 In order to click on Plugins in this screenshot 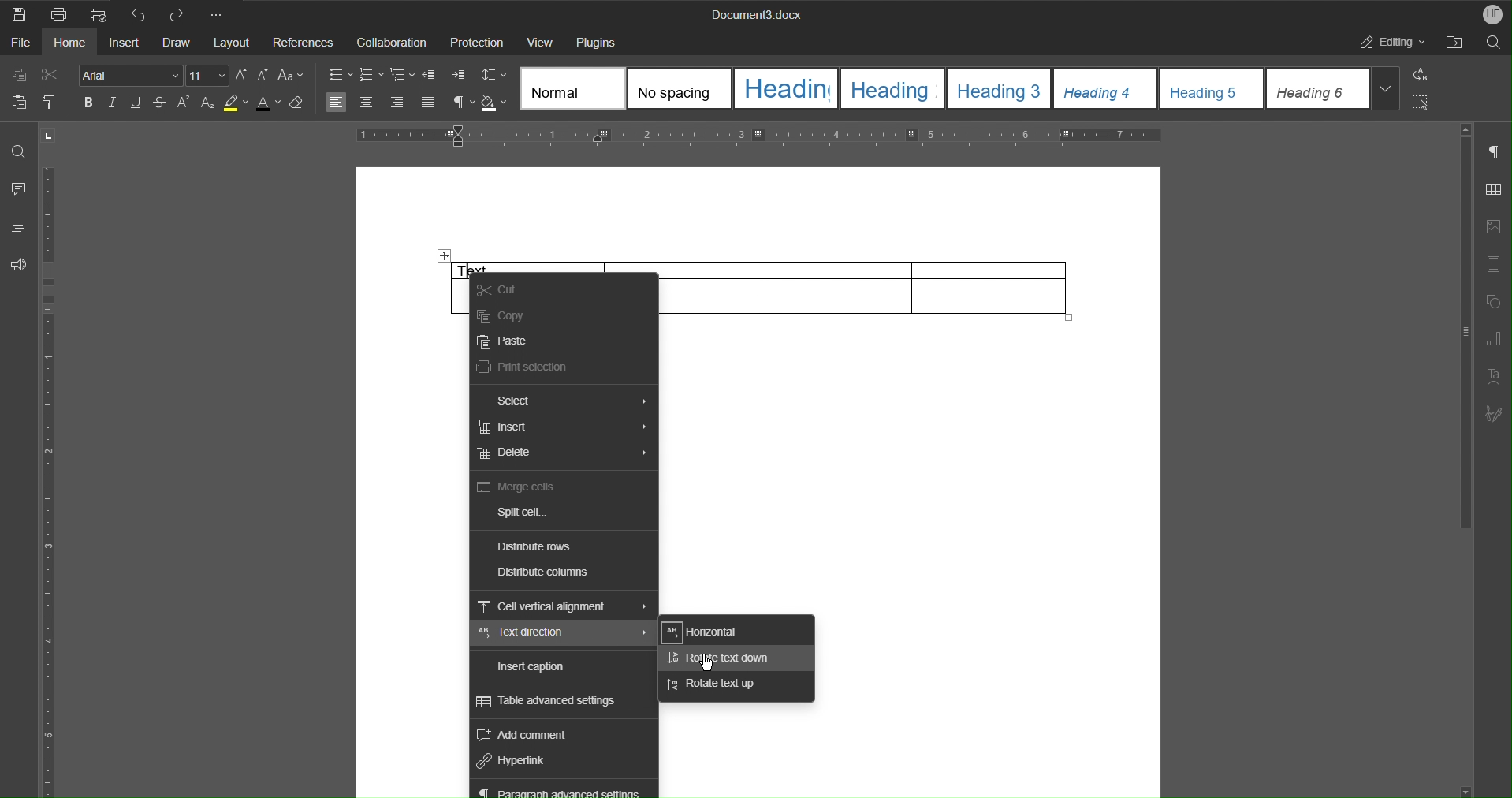, I will do `click(598, 40)`.